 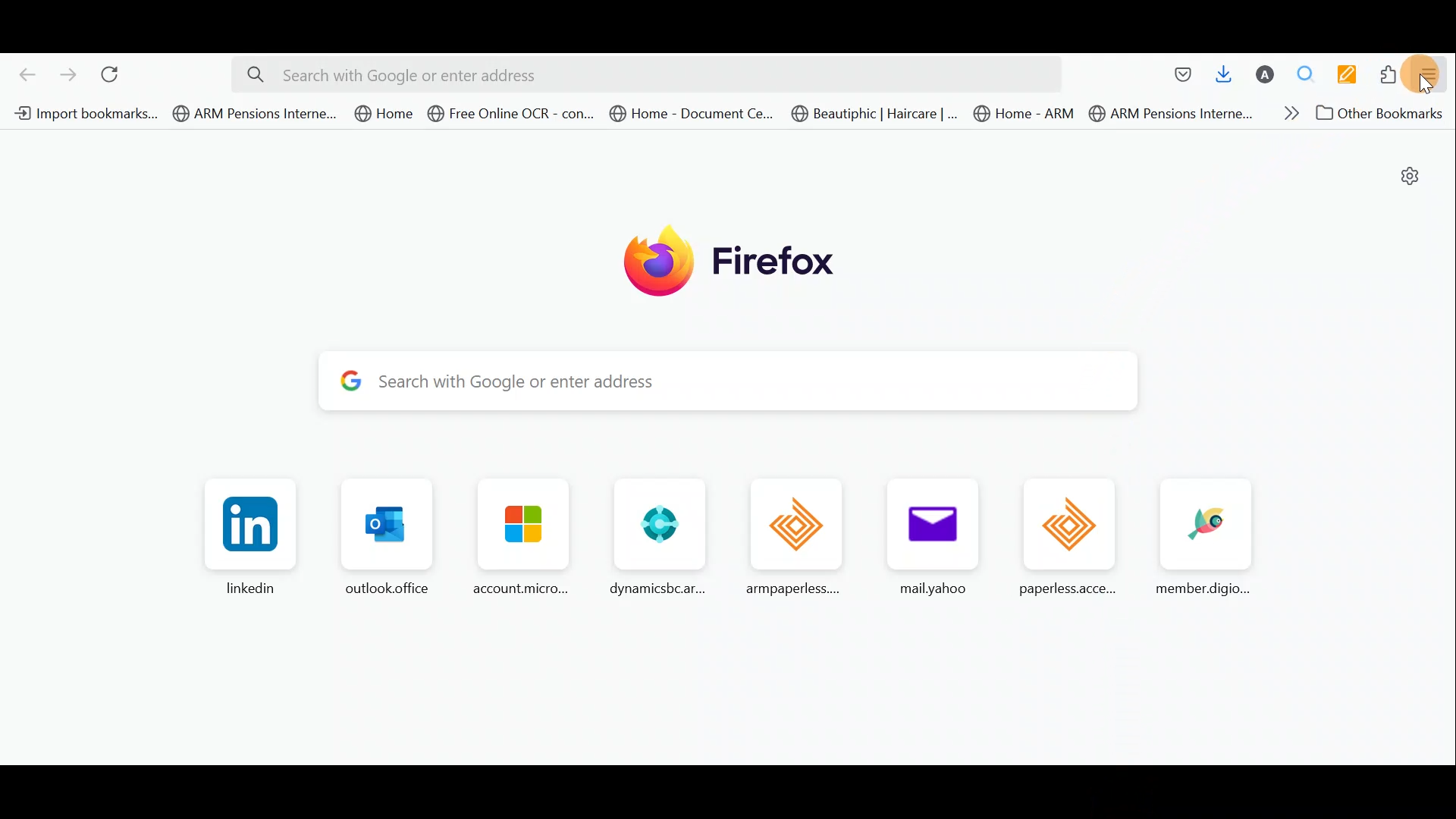 I want to click on Beautiphic | Haircare | ..., so click(x=875, y=115).